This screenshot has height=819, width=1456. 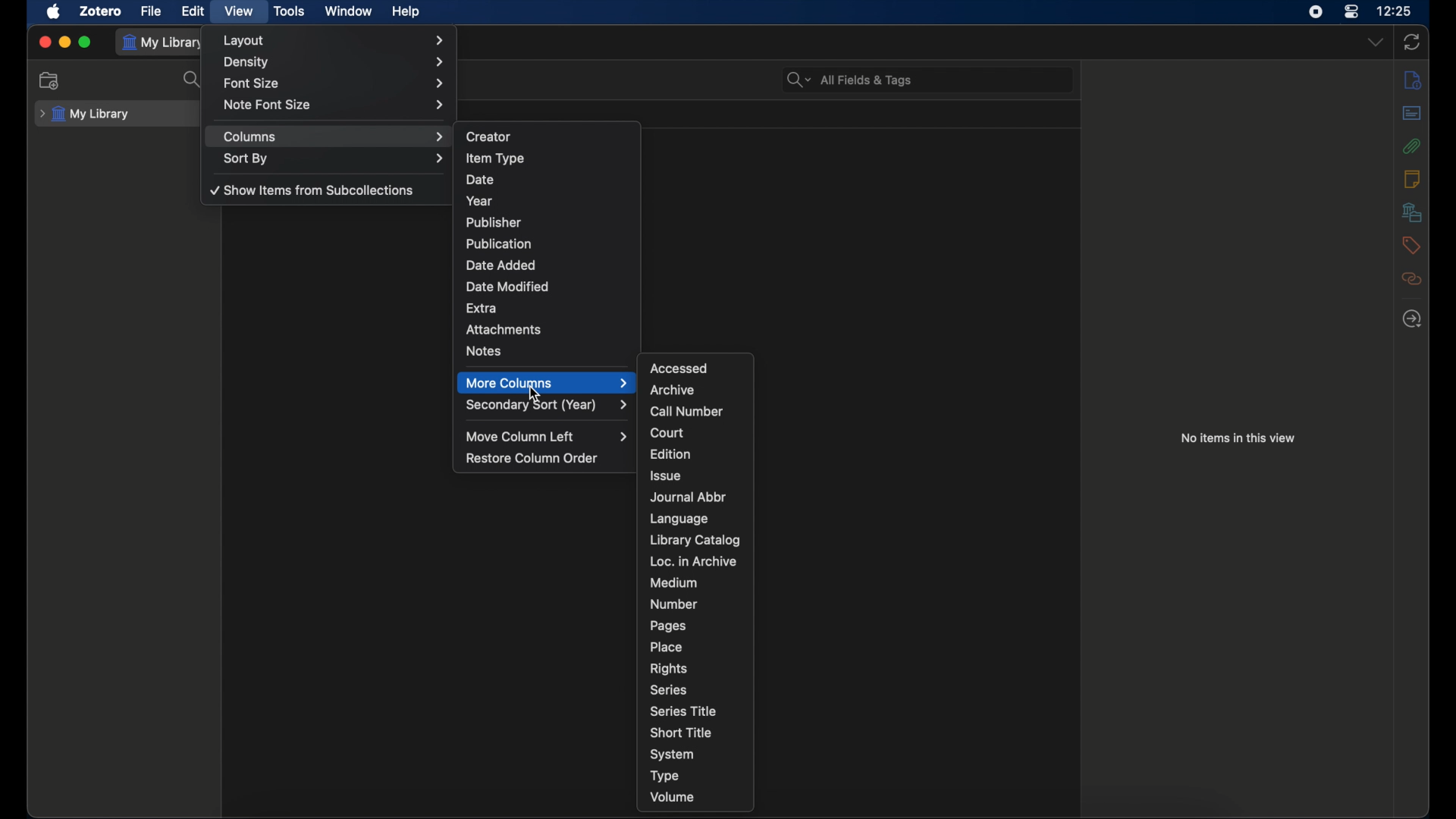 I want to click on date, so click(x=479, y=180).